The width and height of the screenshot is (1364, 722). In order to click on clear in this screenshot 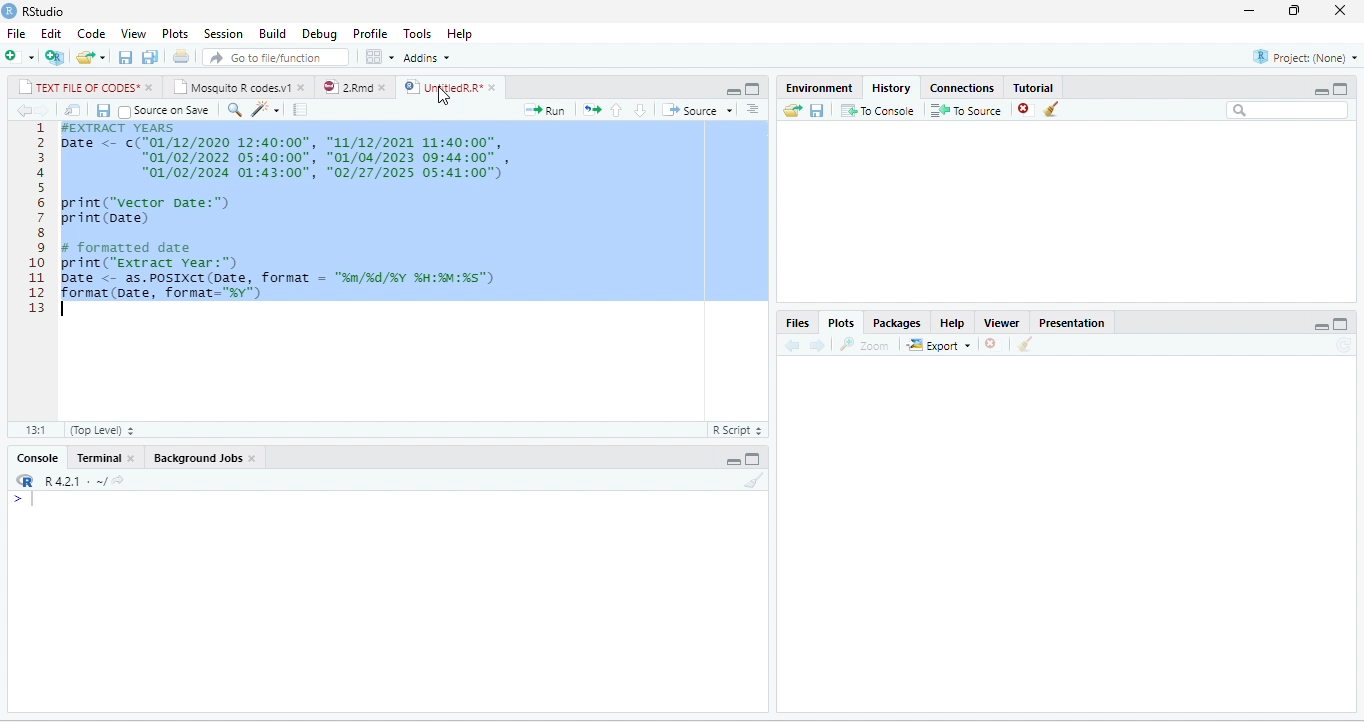, I will do `click(755, 480)`.